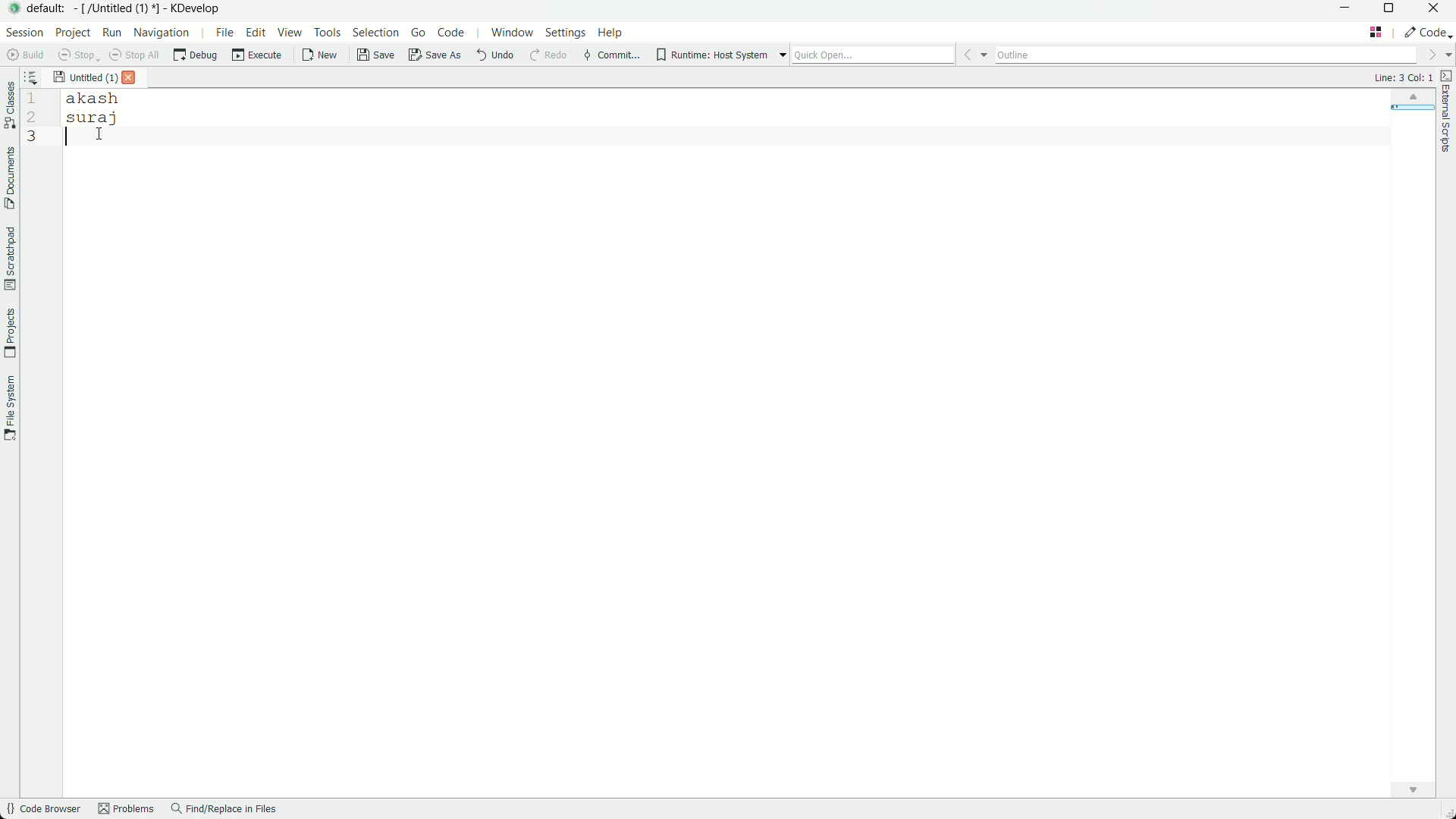 The image size is (1456, 819). What do you see at coordinates (23, 55) in the screenshot?
I see `build` at bounding box center [23, 55].